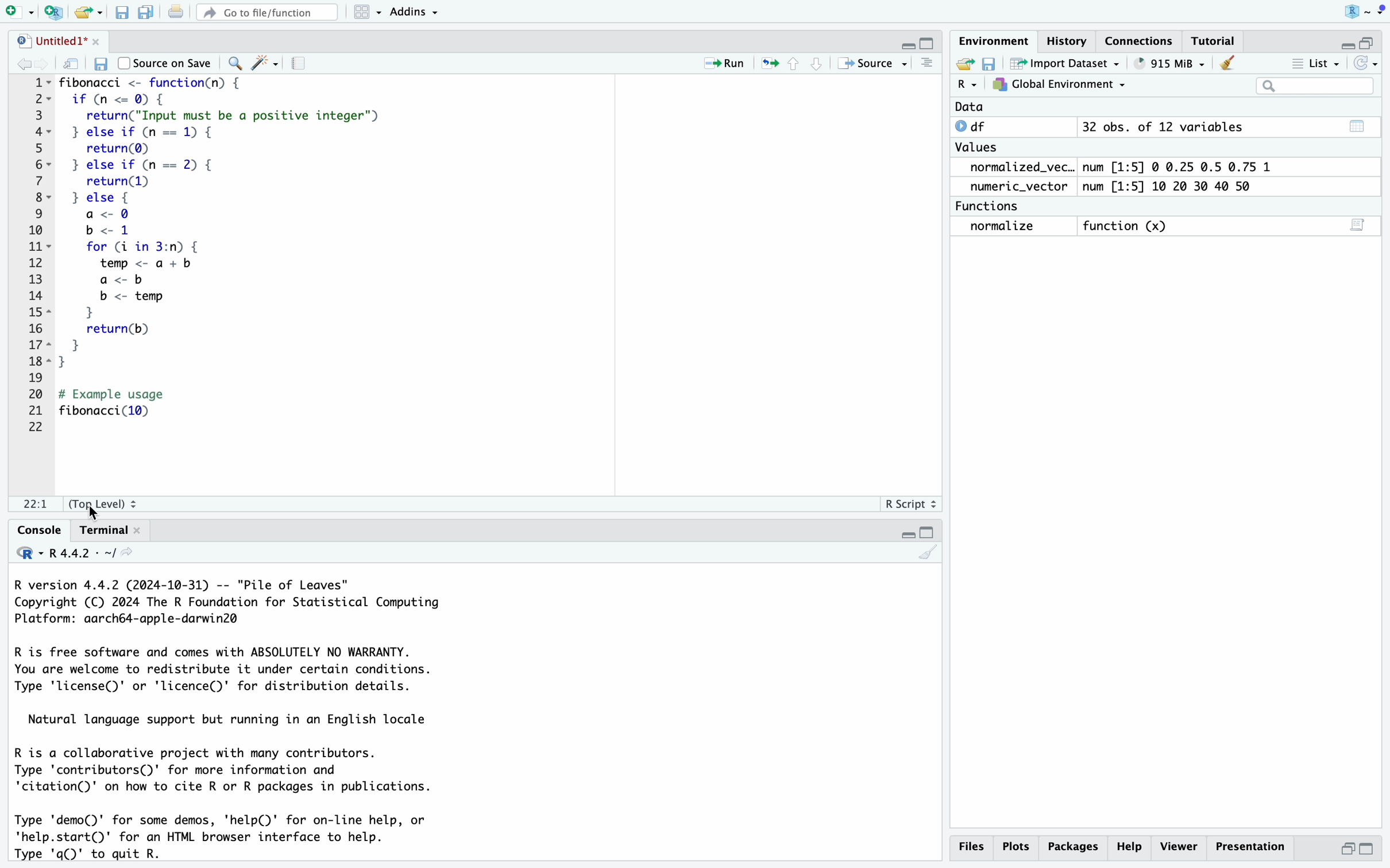 The width and height of the screenshot is (1390, 868). I want to click on print fibonacci, so click(129, 404).